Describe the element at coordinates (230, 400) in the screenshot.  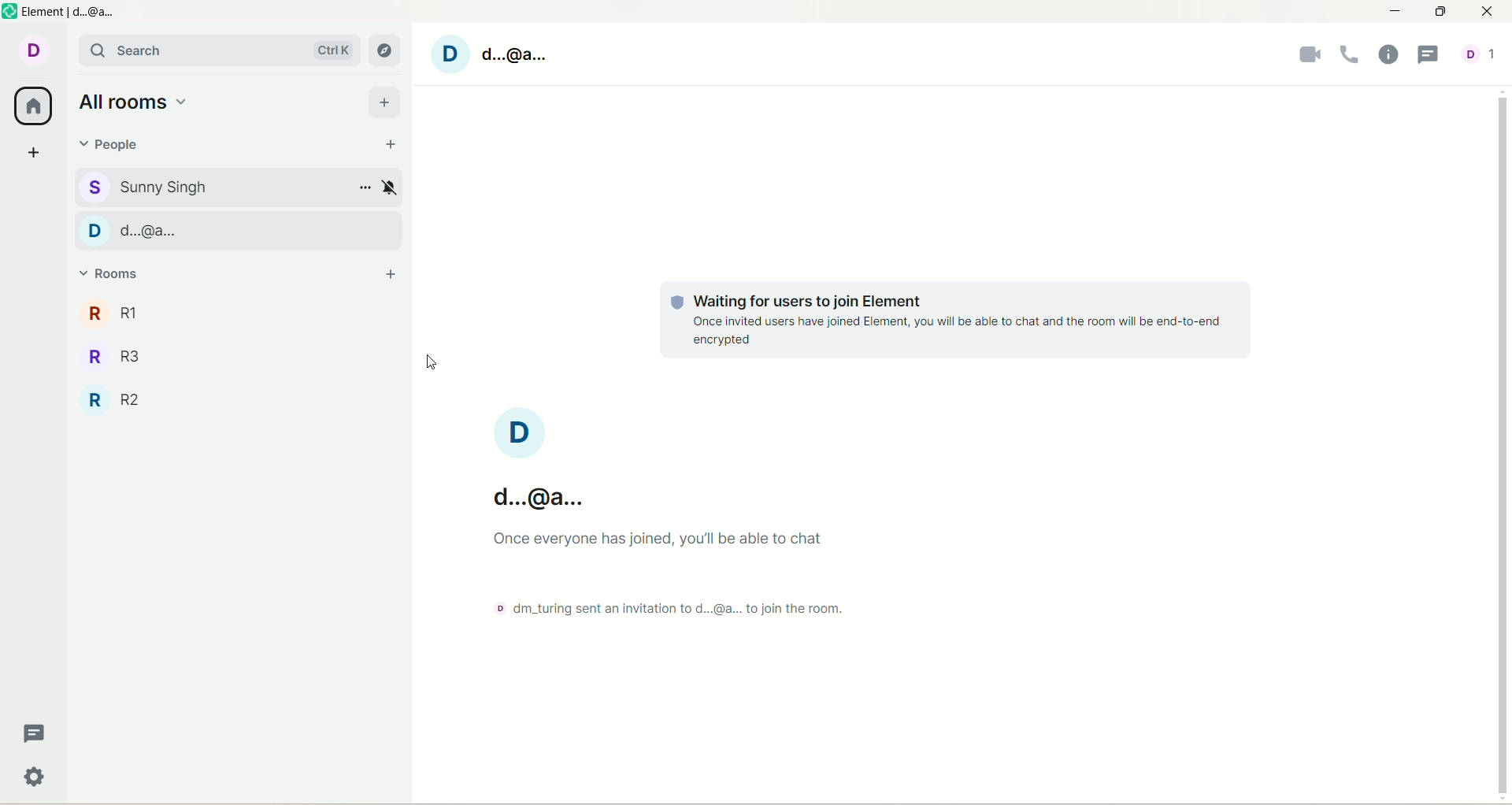
I see `R2` at that location.